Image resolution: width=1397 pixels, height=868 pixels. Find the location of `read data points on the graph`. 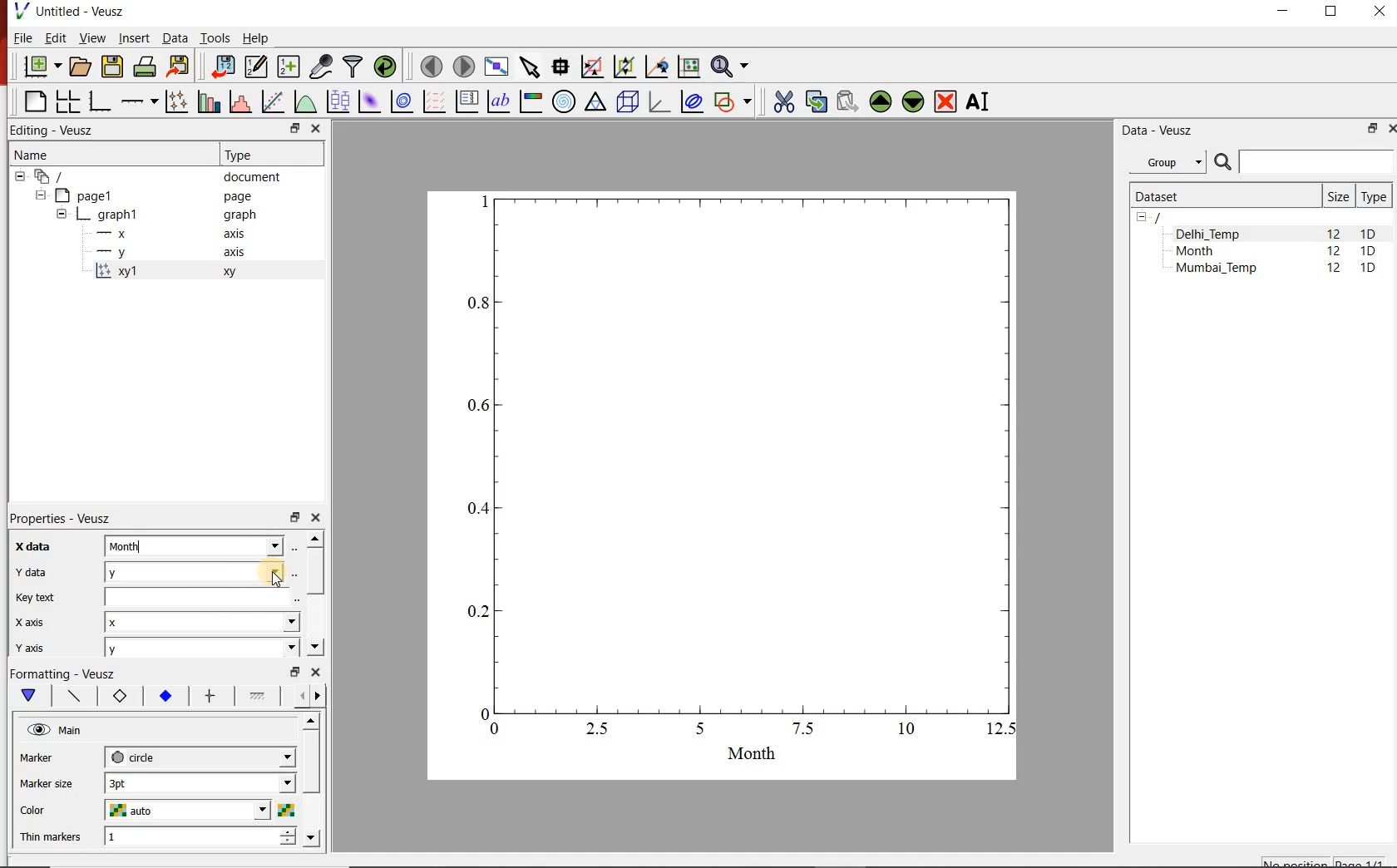

read data points on the graph is located at coordinates (560, 67).